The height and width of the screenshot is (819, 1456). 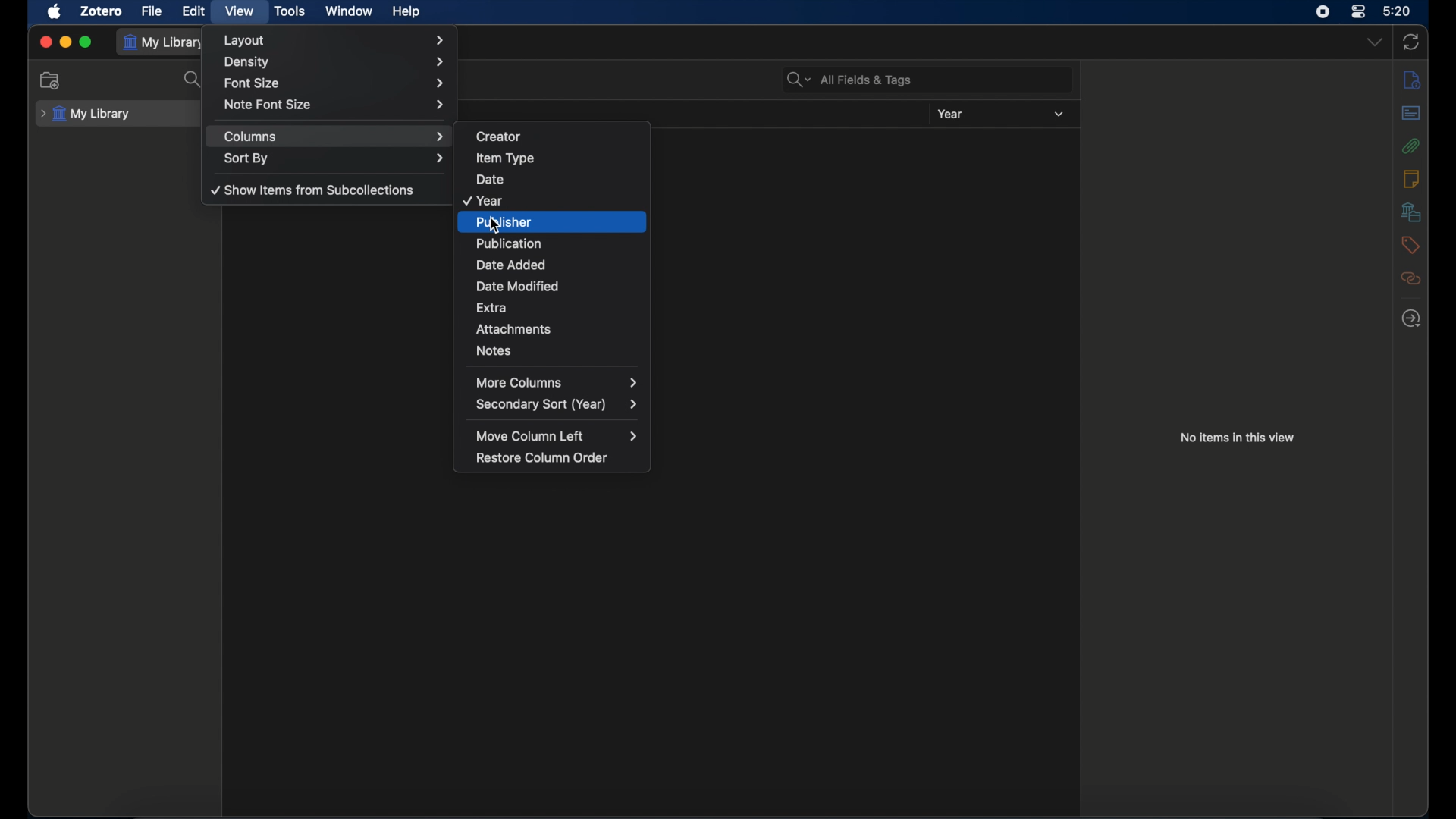 What do you see at coordinates (1411, 318) in the screenshot?
I see `locate` at bounding box center [1411, 318].